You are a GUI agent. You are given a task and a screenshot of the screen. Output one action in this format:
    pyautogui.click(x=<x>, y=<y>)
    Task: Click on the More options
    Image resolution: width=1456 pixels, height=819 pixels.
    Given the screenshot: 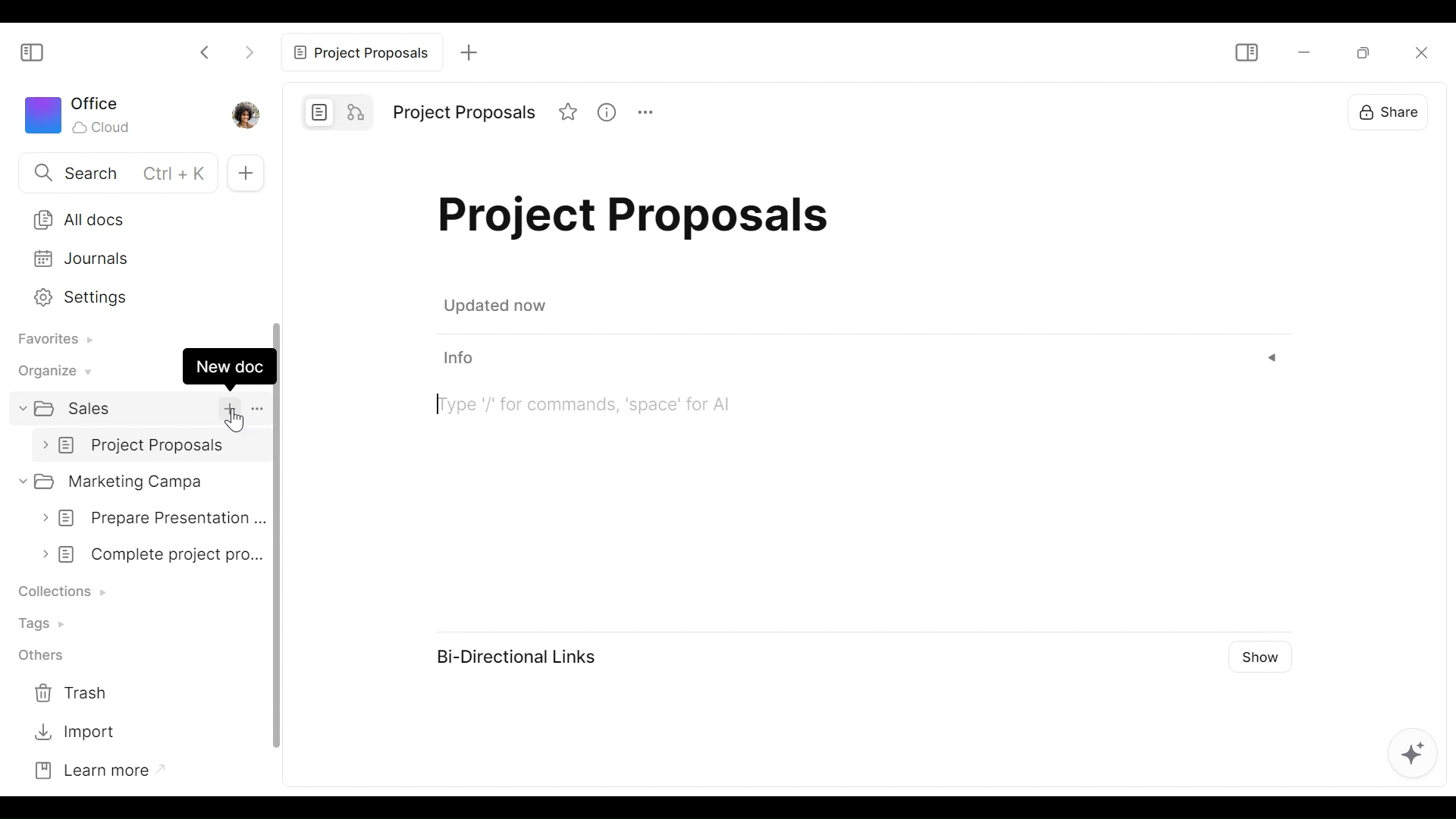 What is the action you would take?
    pyautogui.click(x=257, y=408)
    